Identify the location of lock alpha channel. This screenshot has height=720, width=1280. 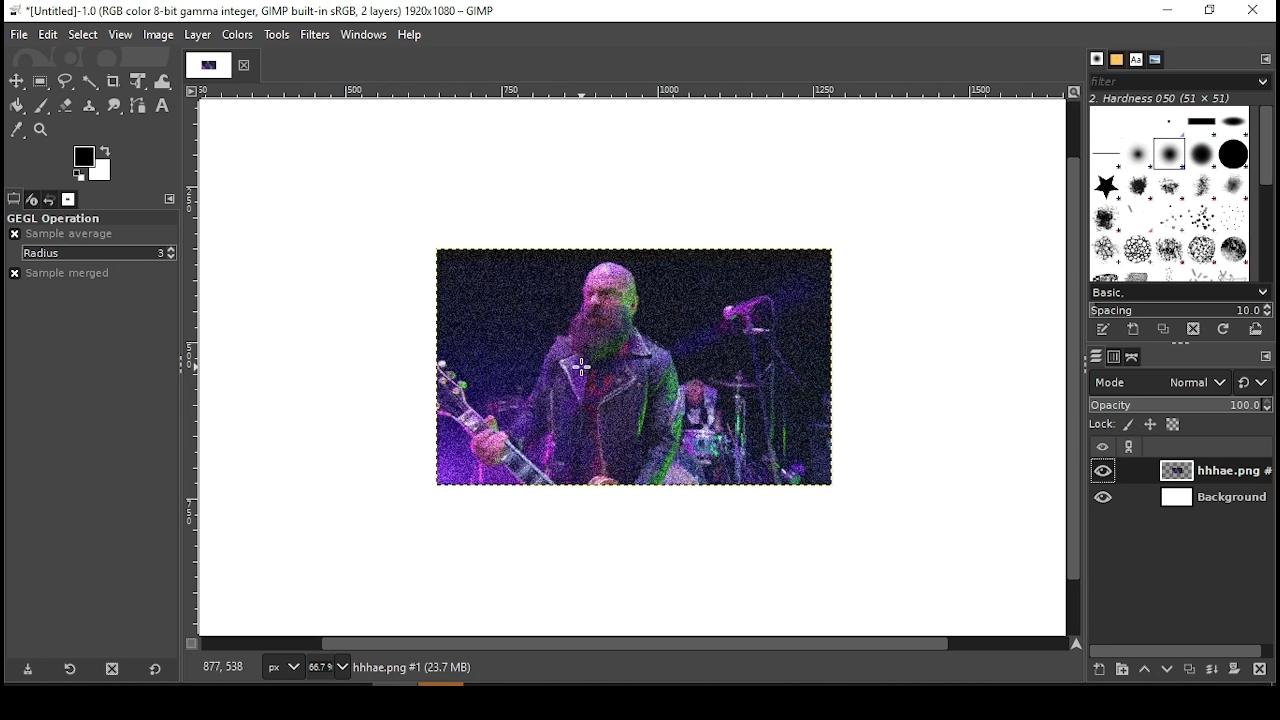
(1176, 426).